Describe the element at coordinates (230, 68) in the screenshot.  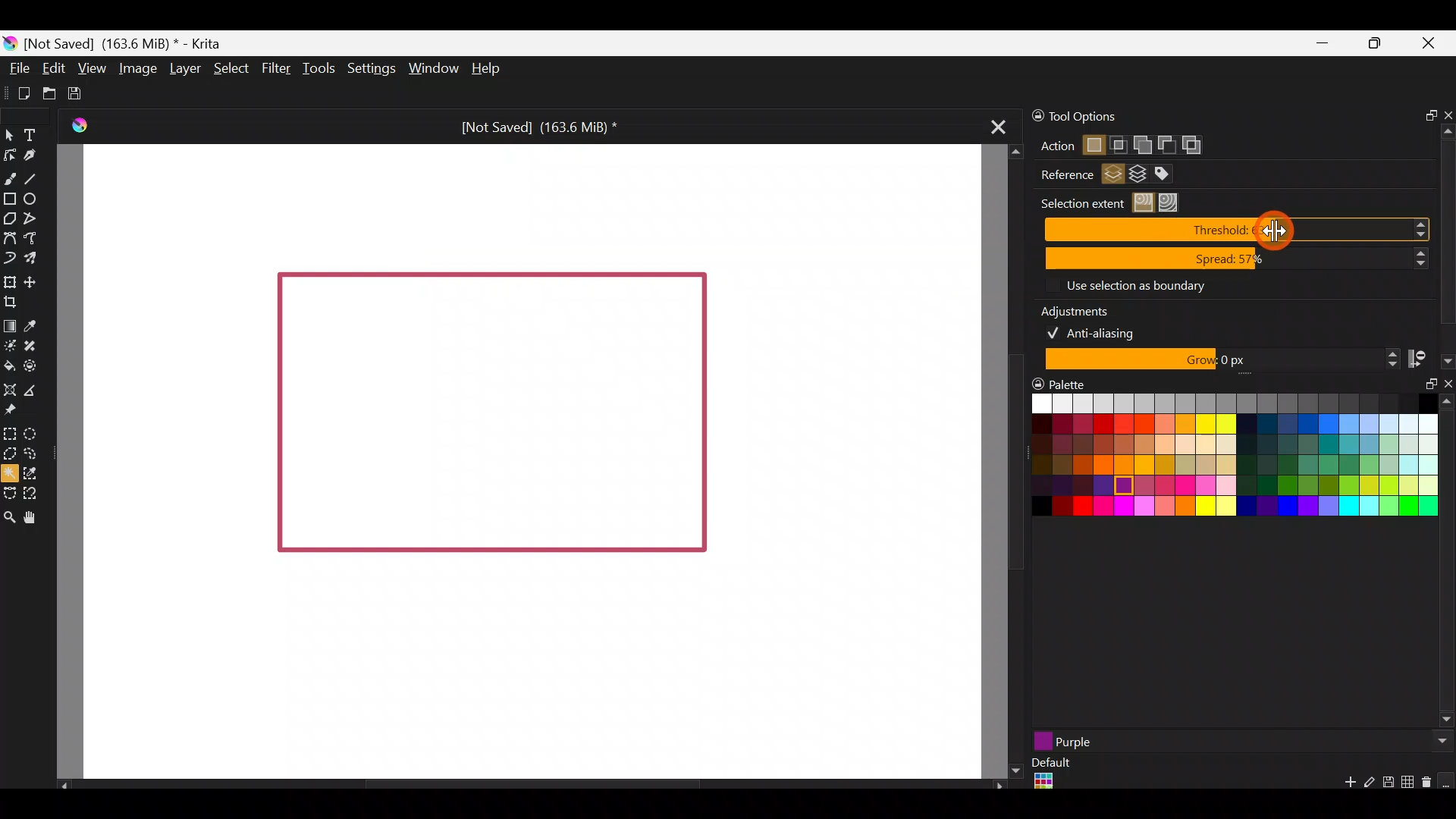
I see `Select` at that location.